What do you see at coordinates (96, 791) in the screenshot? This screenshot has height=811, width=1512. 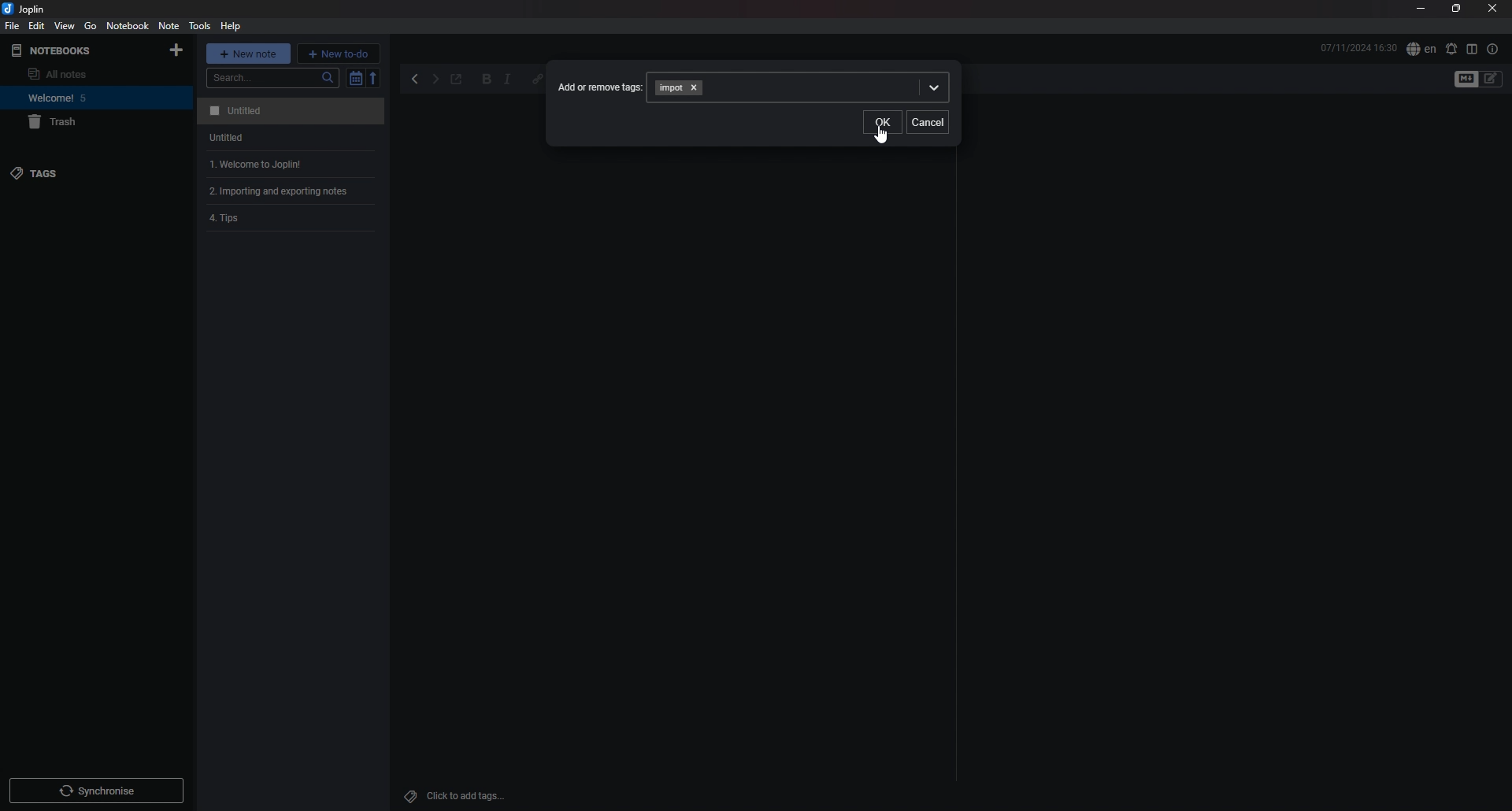 I see `sync` at bounding box center [96, 791].